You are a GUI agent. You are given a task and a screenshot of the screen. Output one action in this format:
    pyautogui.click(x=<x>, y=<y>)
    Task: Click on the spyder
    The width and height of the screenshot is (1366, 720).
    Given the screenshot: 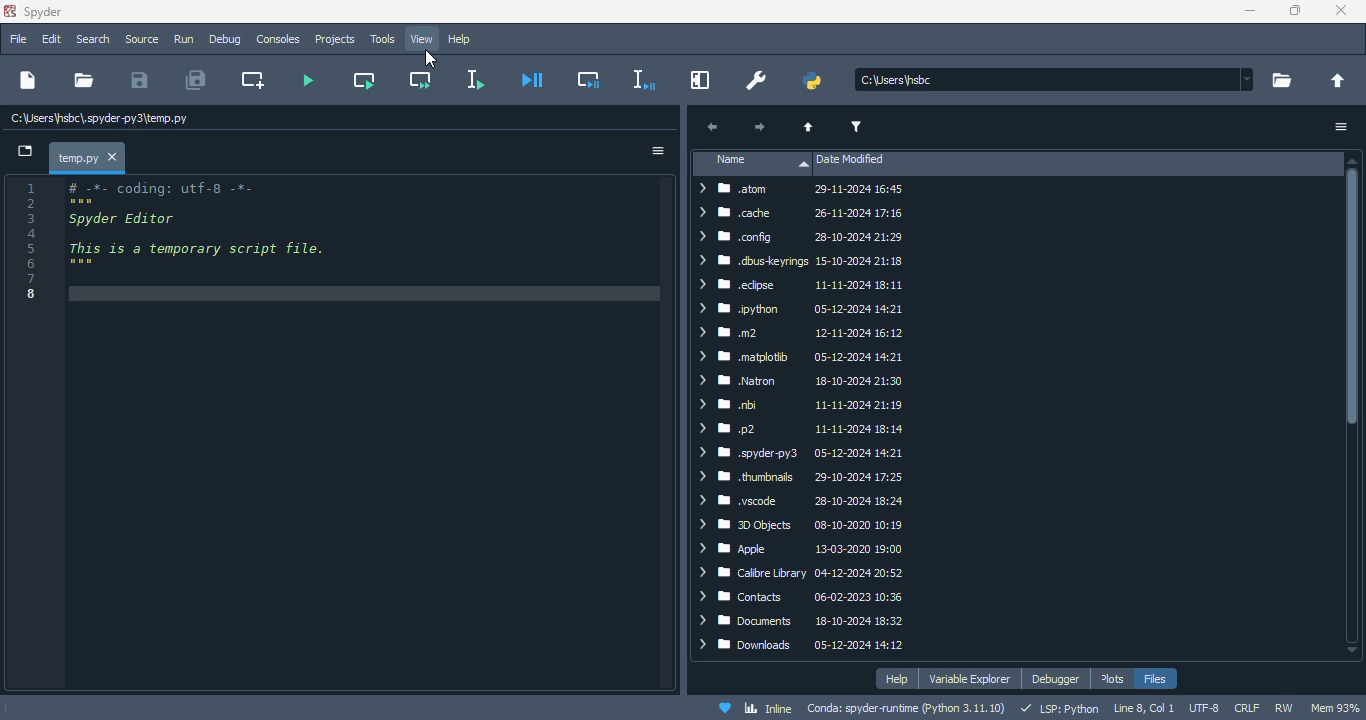 What is the action you would take?
    pyautogui.click(x=43, y=12)
    